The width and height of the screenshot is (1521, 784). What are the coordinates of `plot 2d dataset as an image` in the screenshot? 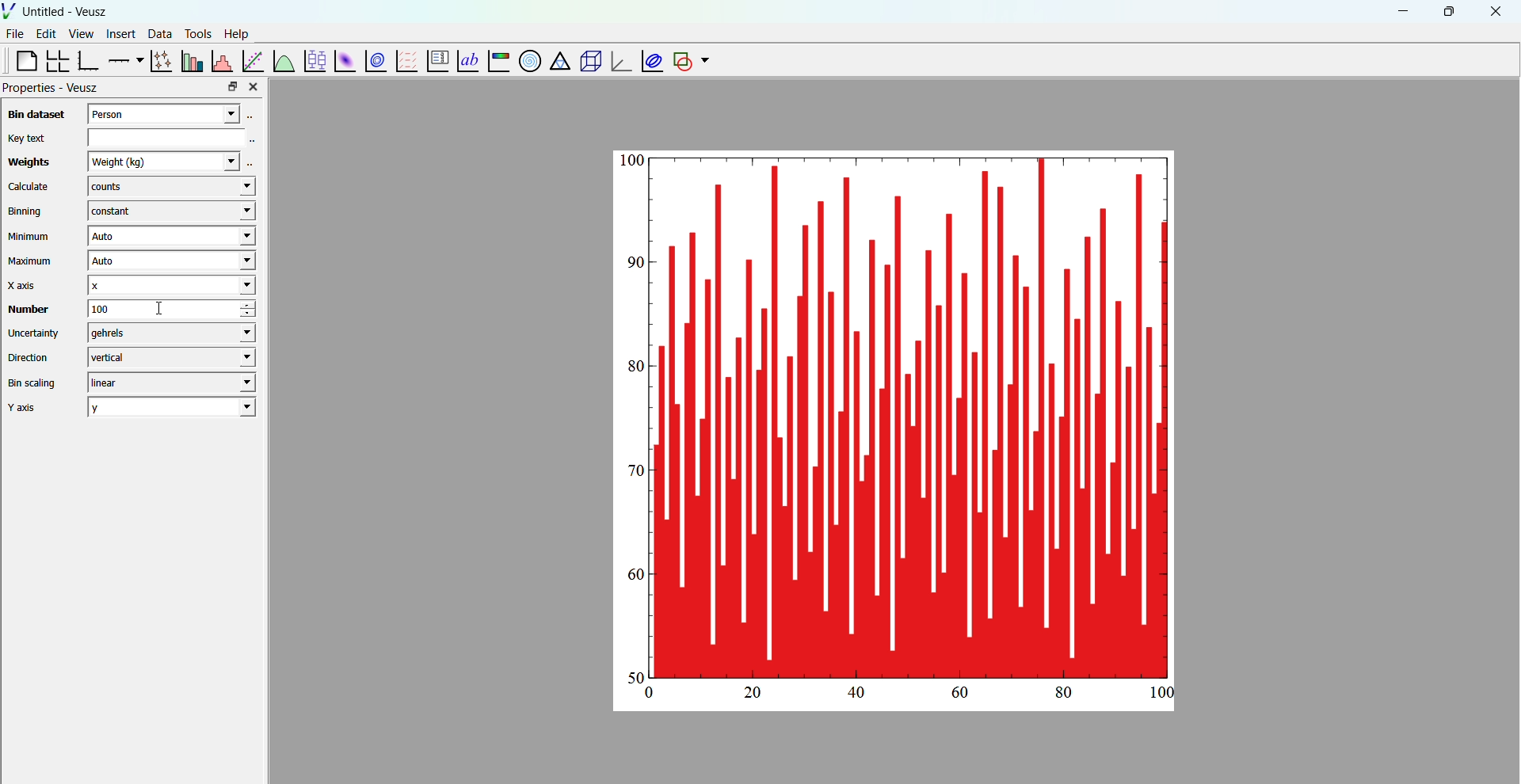 It's located at (342, 61).